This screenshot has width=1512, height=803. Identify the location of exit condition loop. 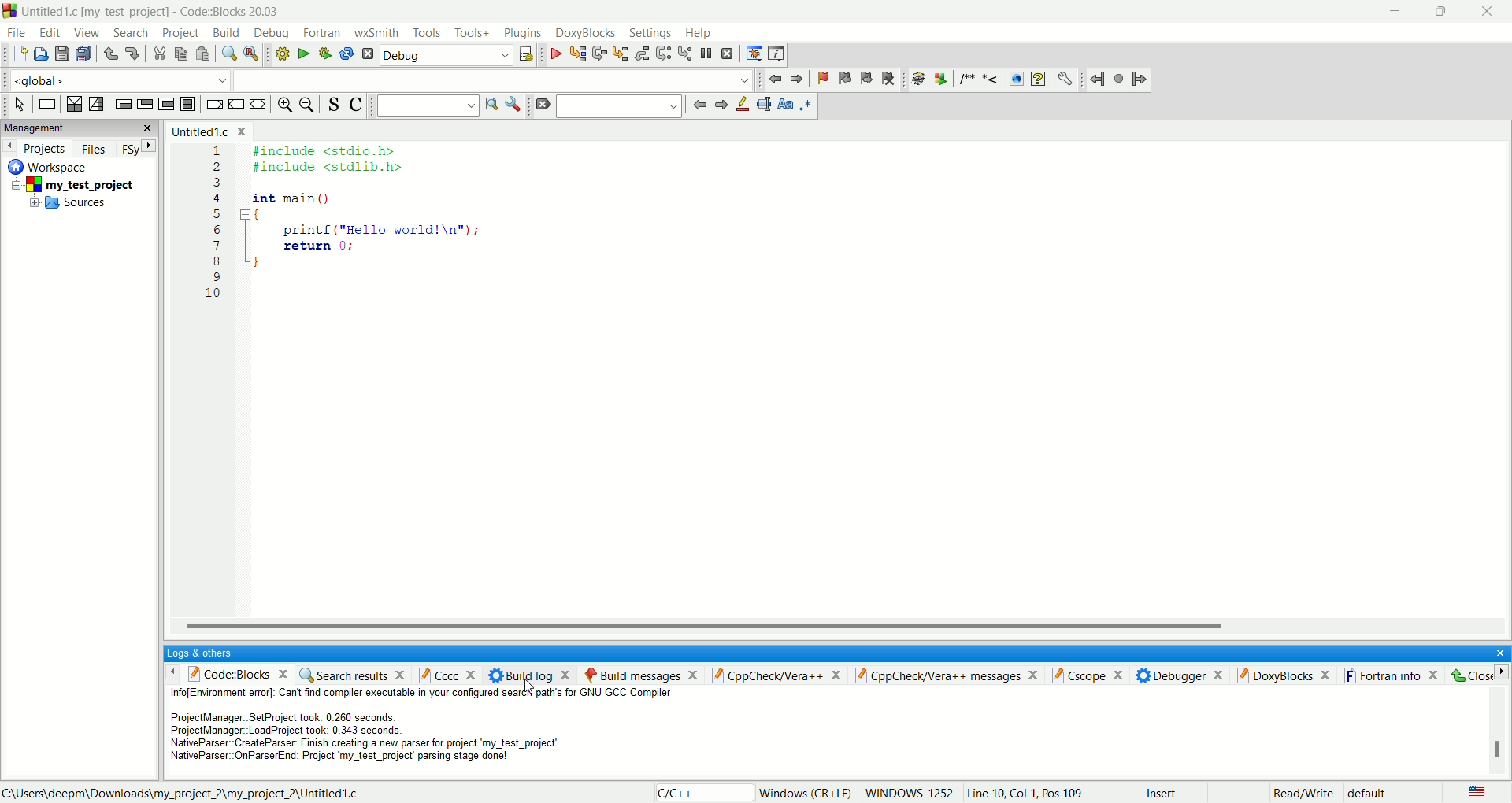
(144, 103).